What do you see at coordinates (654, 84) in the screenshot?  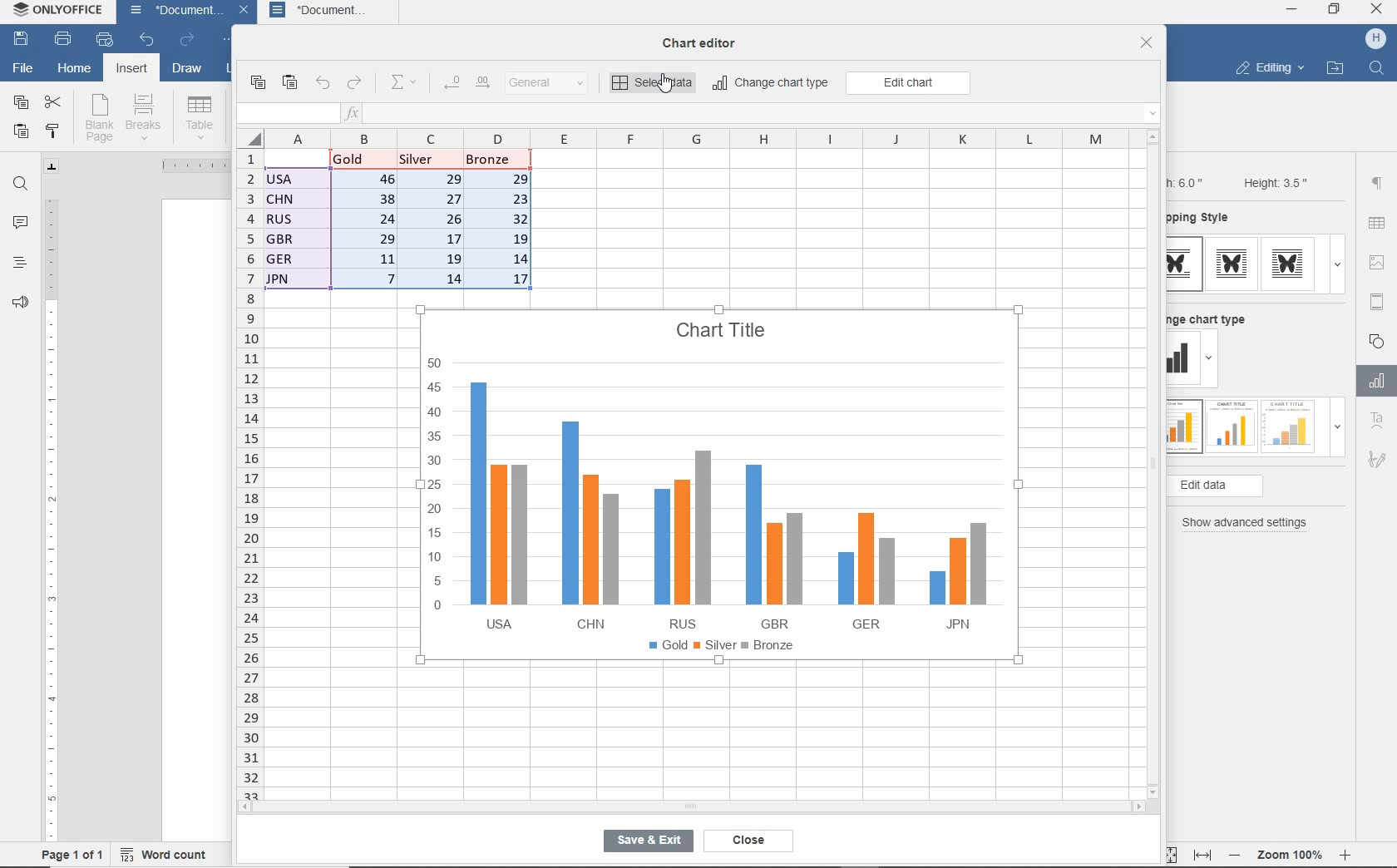 I see `select data` at bounding box center [654, 84].